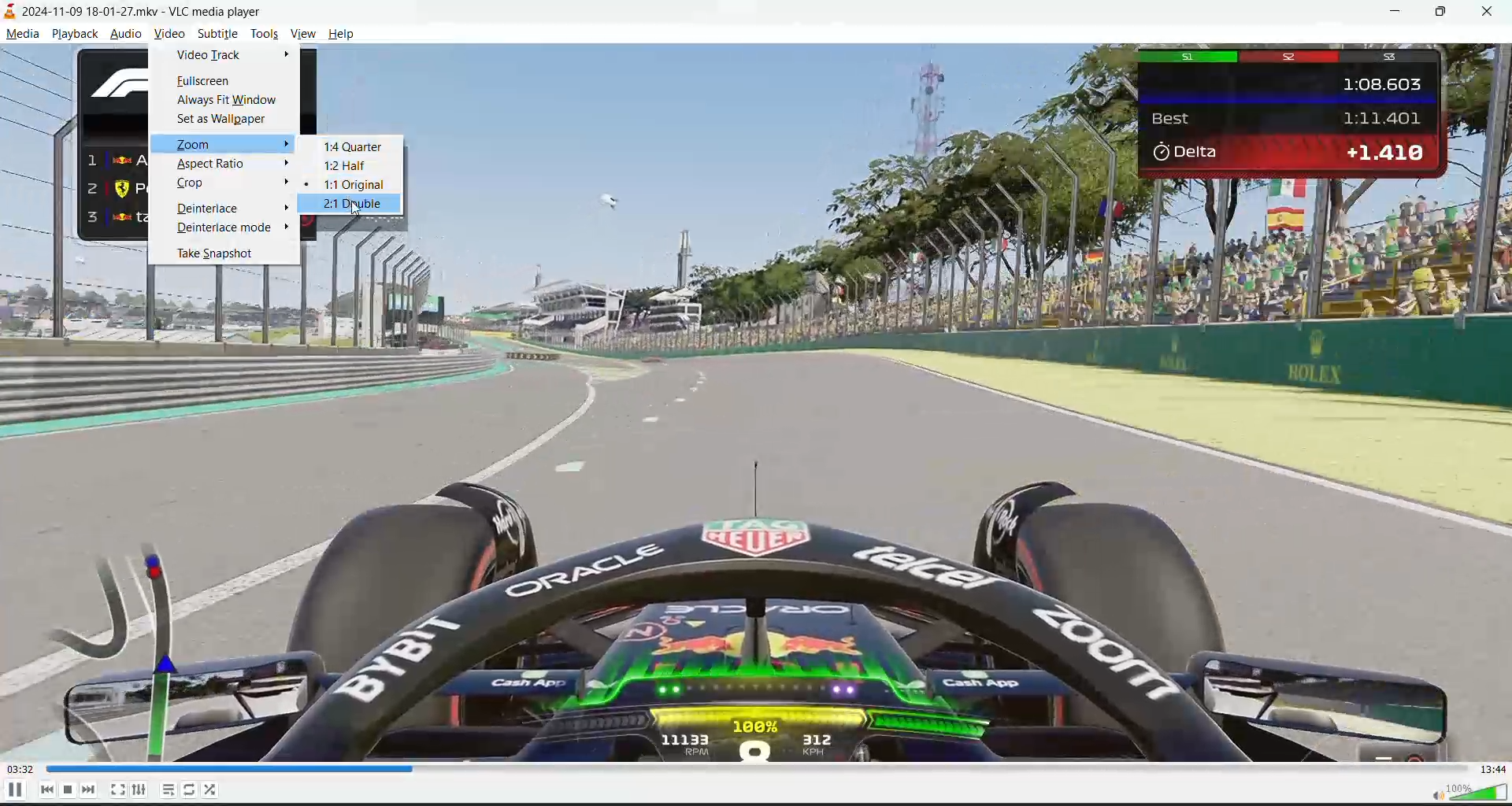 Image resolution: width=1512 pixels, height=806 pixels. I want to click on crop, so click(195, 183).